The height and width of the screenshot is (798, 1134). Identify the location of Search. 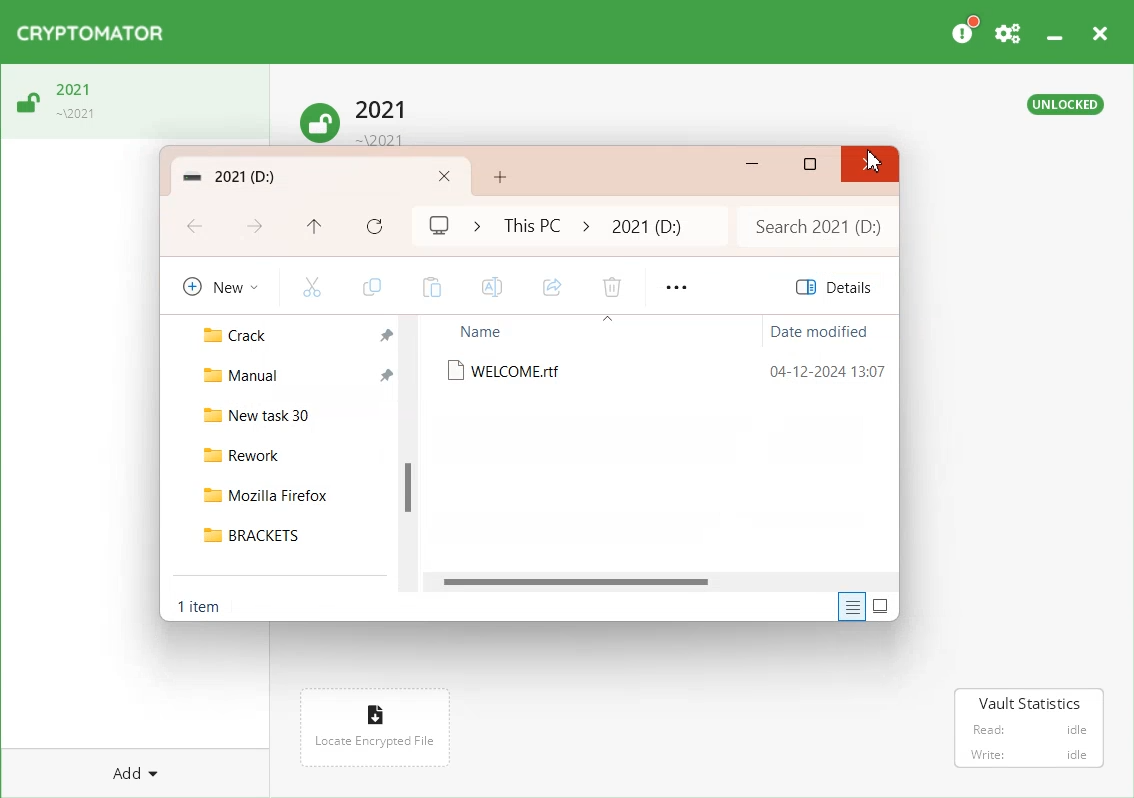
(815, 228).